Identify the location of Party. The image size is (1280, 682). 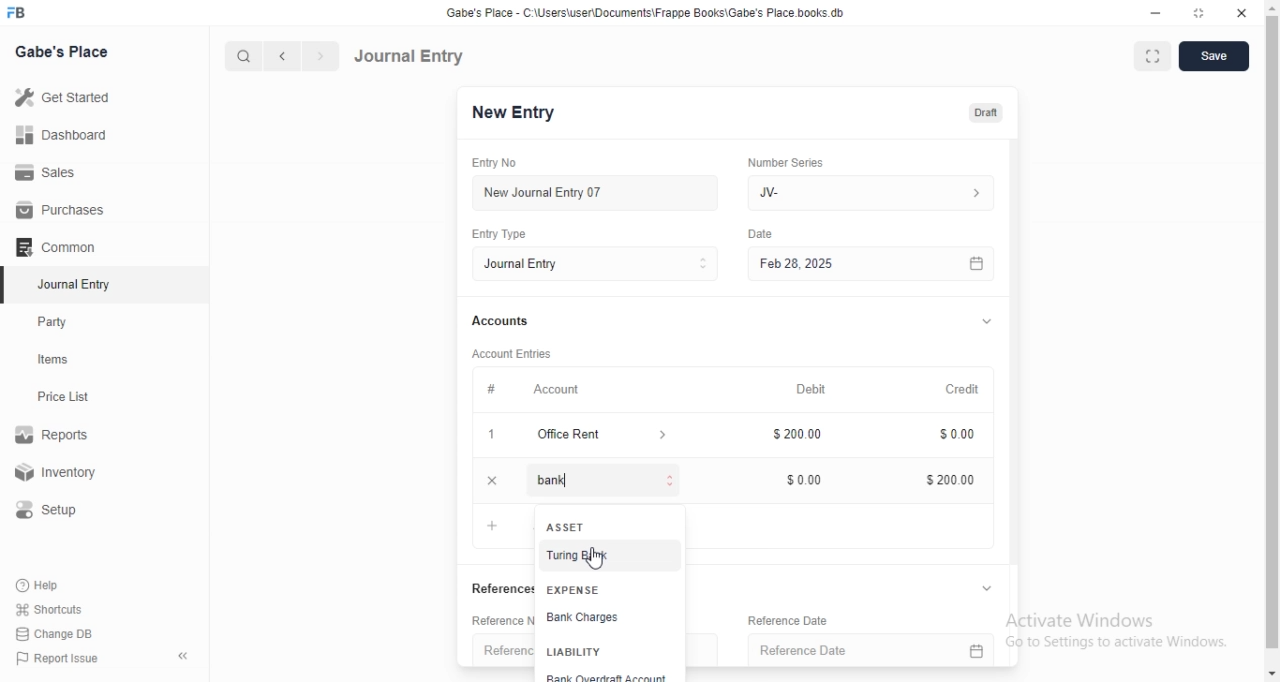
(57, 322).